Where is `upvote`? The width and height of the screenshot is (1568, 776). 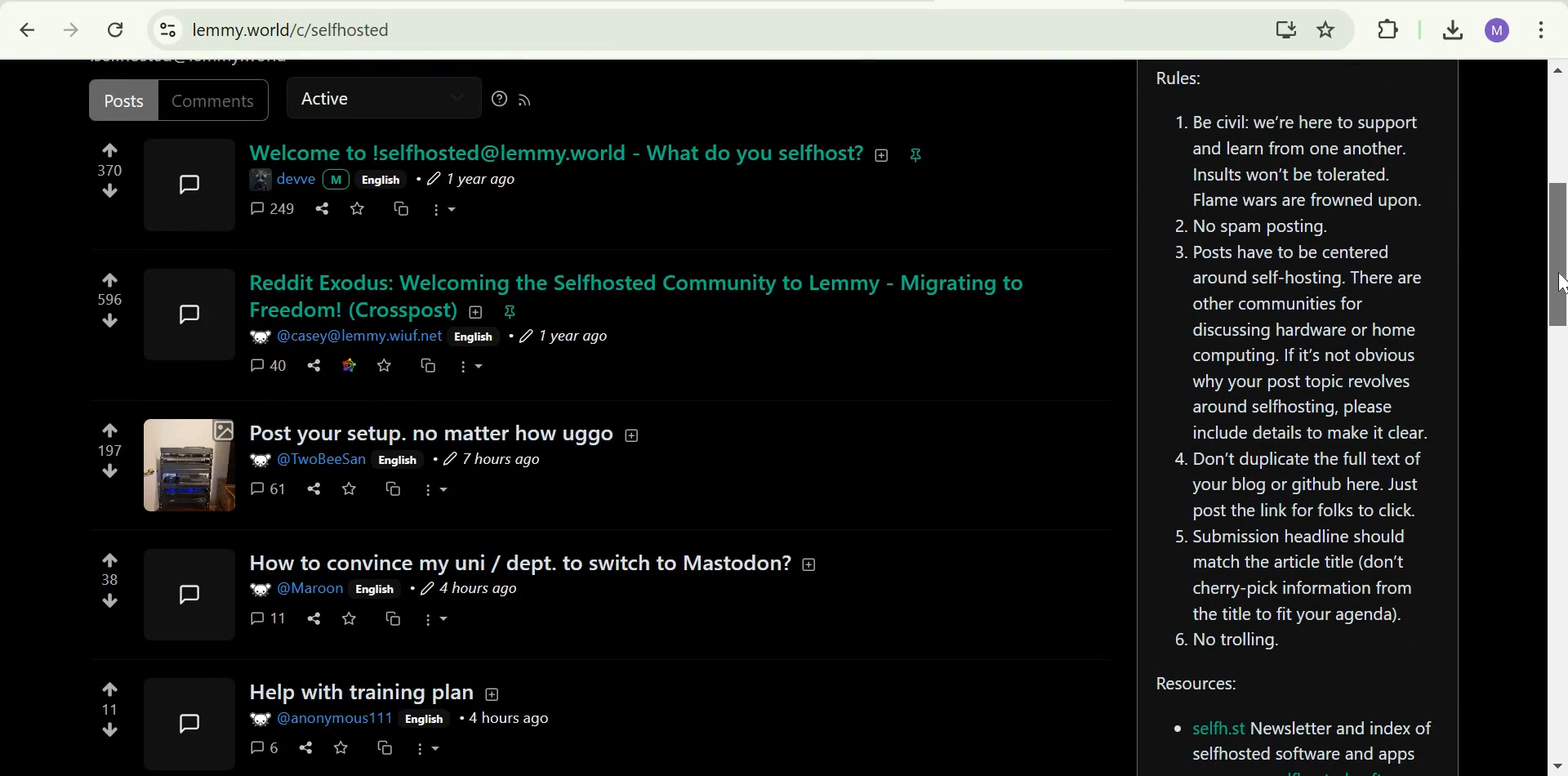 upvote is located at coordinates (112, 430).